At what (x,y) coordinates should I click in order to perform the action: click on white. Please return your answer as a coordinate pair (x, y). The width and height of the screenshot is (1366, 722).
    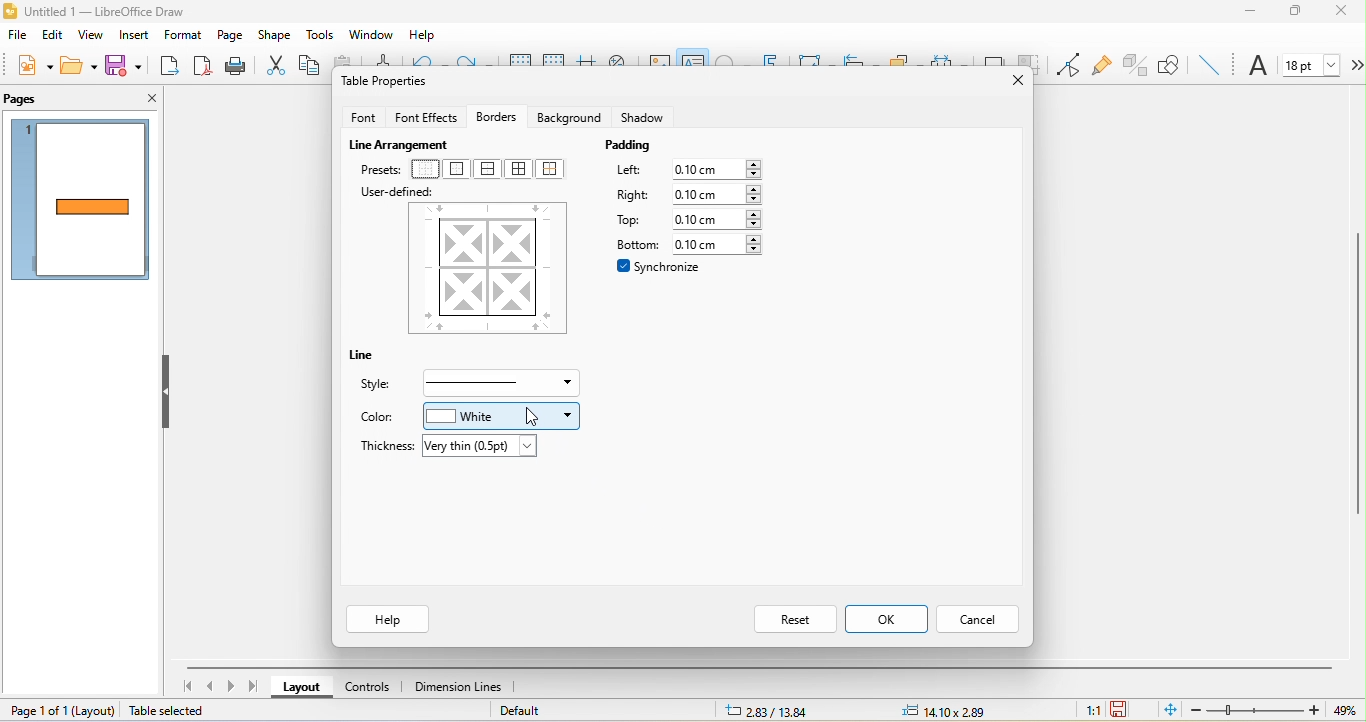
    Looking at the image, I should click on (505, 415).